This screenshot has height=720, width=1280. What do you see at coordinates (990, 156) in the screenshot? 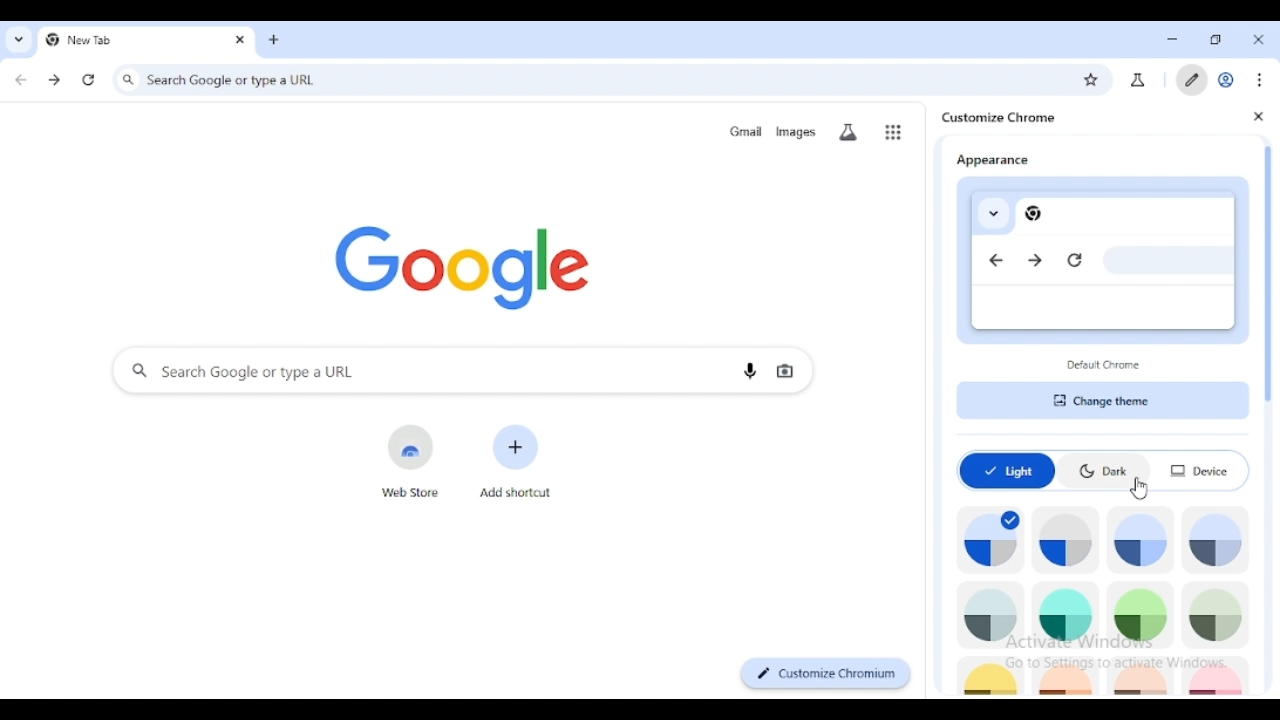
I see `appearance` at bounding box center [990, 156].